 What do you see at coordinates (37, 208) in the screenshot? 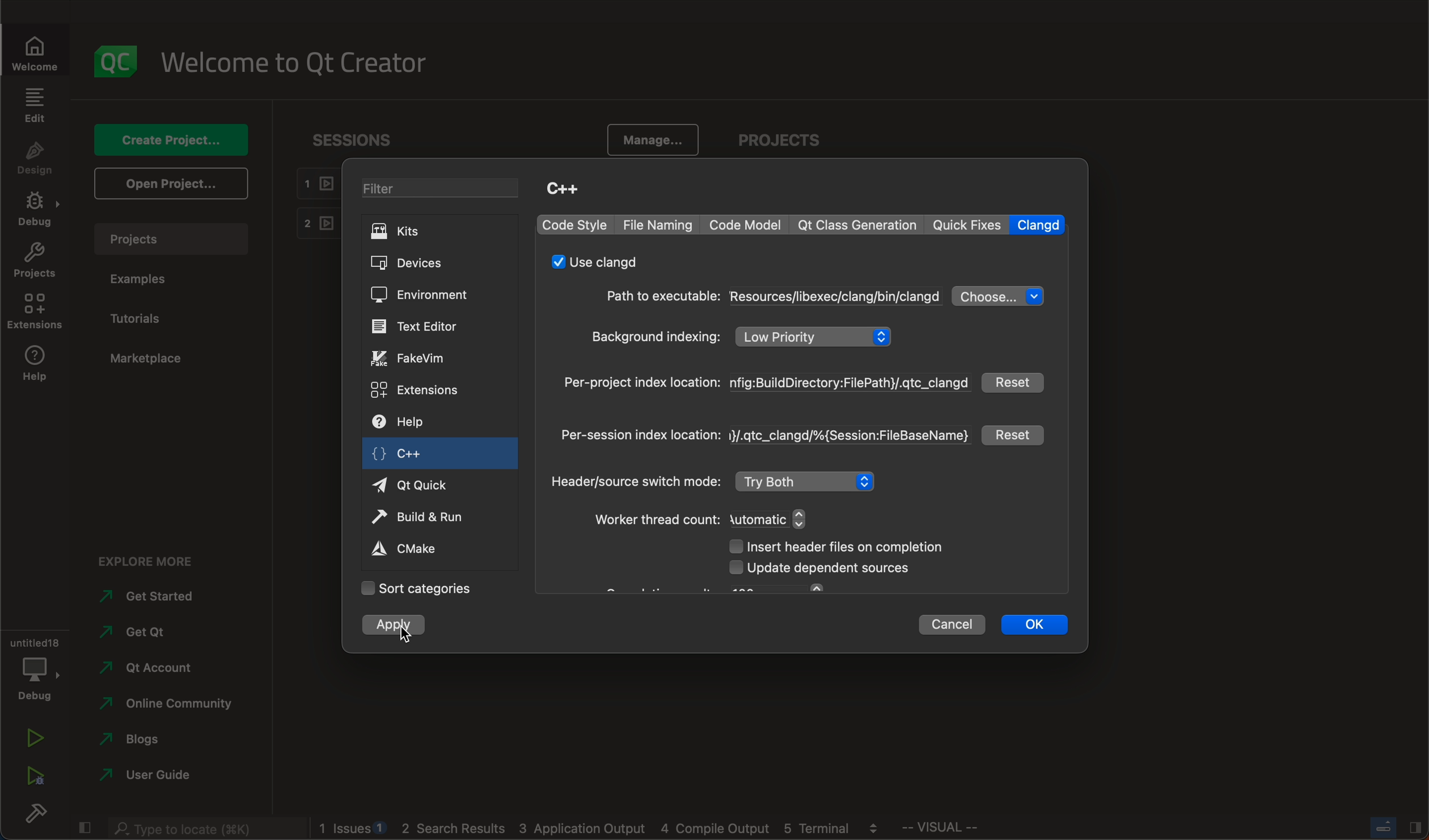
I see `debug` at bounding box center [37, 208].